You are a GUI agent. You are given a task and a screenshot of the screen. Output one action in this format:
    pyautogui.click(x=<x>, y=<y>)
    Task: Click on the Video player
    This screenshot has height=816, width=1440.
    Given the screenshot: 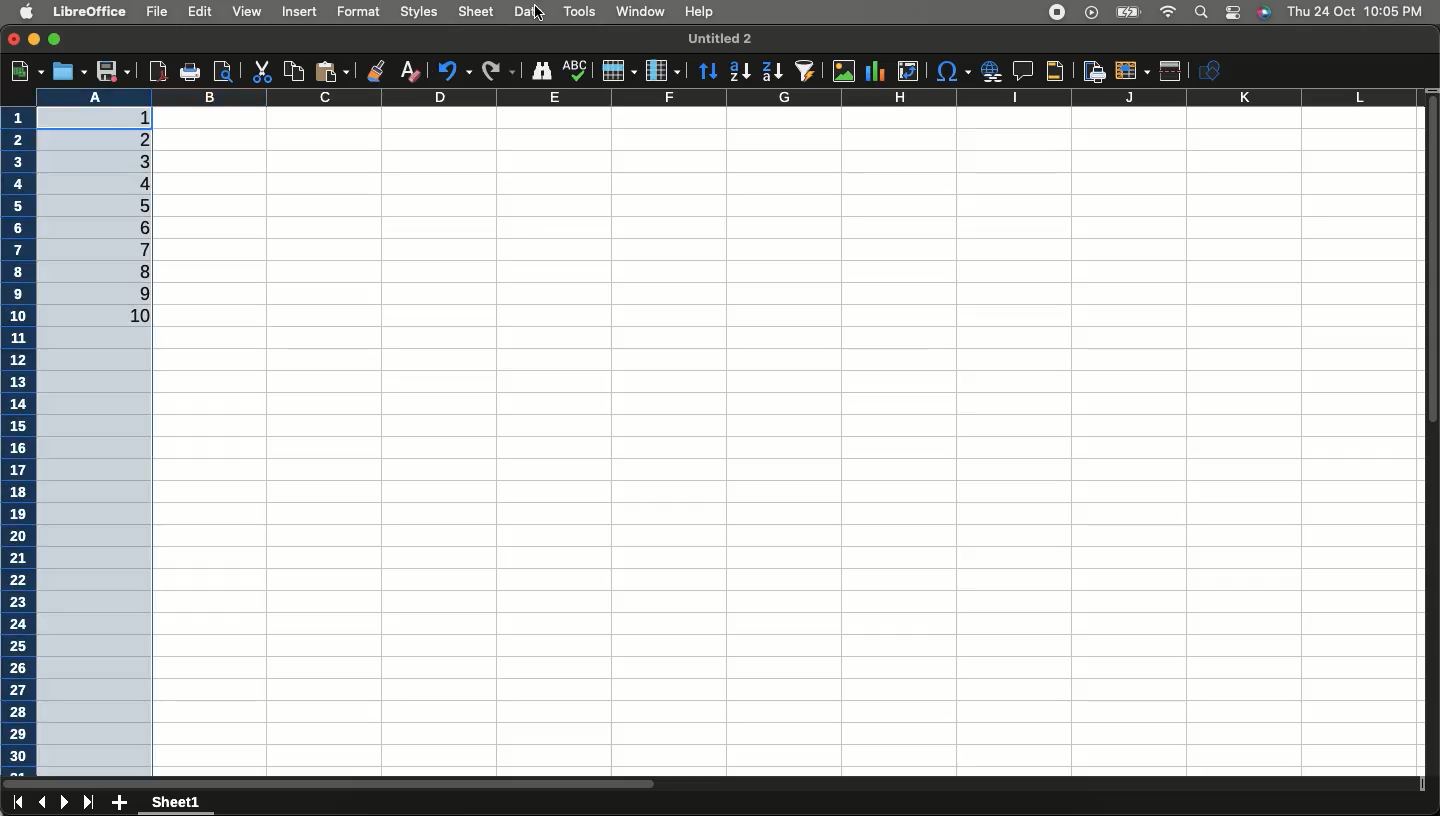 What is the action you would take?
    pyautogui.click(x=1089, y=12)
    